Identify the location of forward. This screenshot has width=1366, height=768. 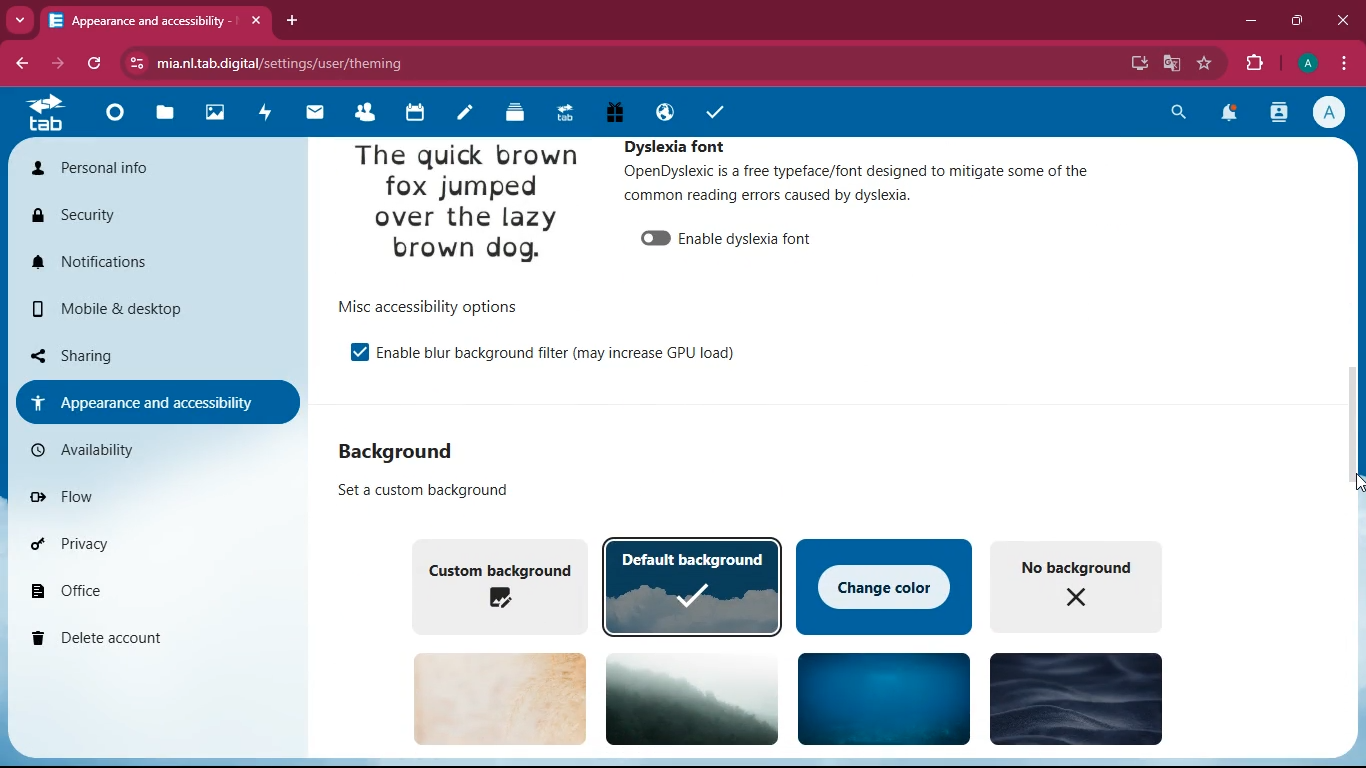
(61, 64).